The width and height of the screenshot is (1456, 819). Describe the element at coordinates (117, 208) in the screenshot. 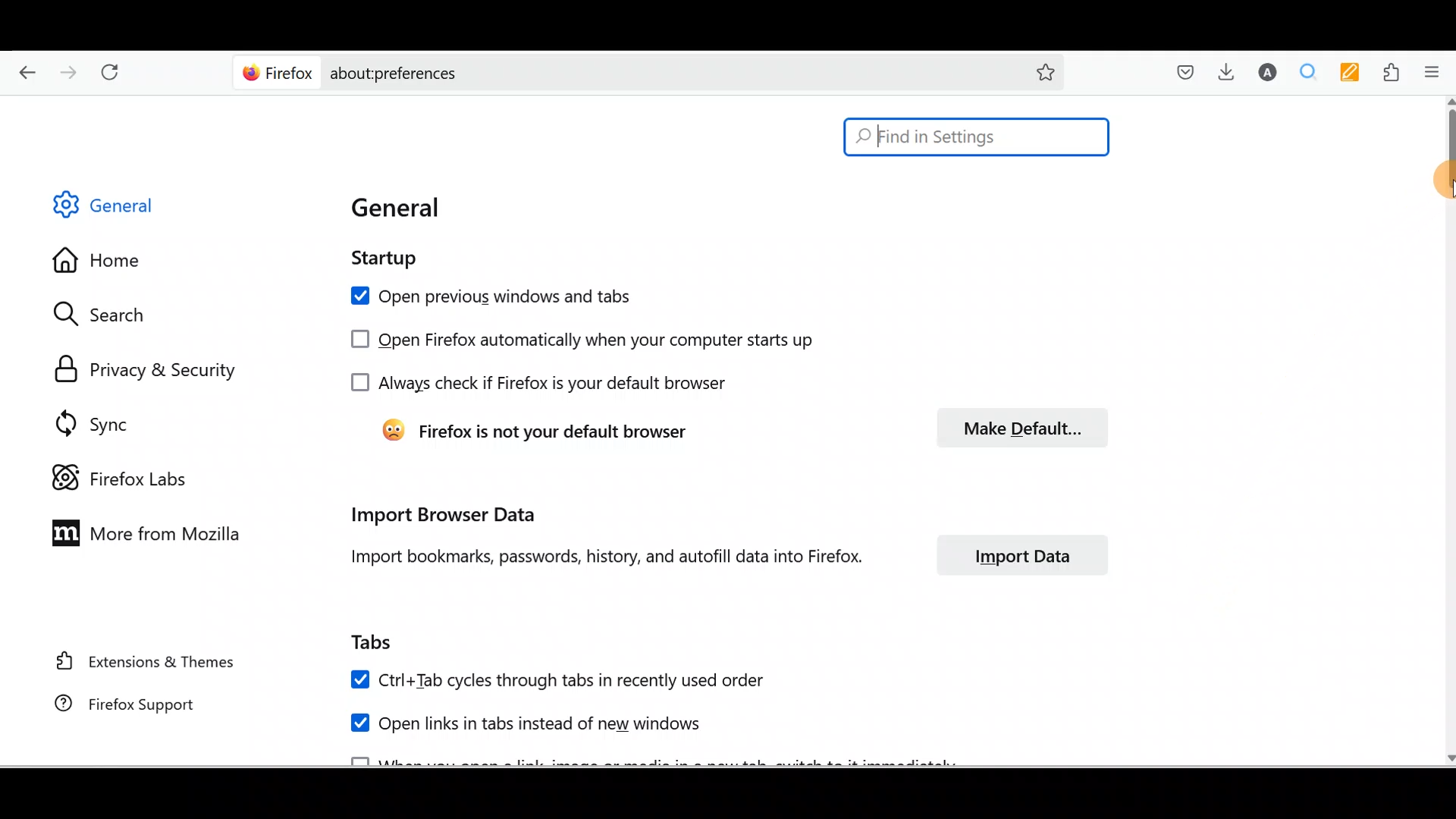

I see `General` at that location.